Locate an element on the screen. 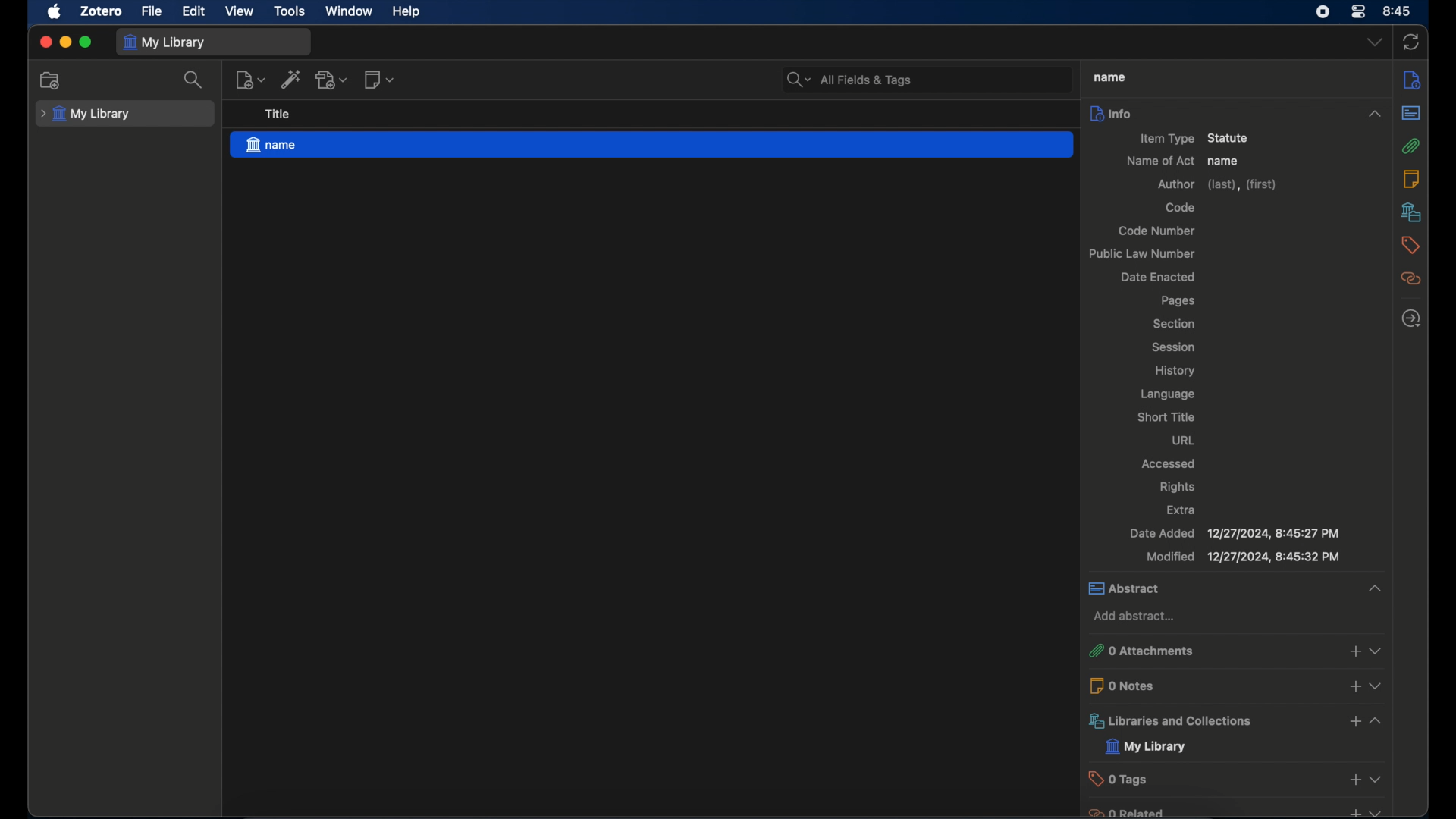 The width and height of the screenshot is (1456, 819). 0 attachments is located at coordinates (1210, 651).